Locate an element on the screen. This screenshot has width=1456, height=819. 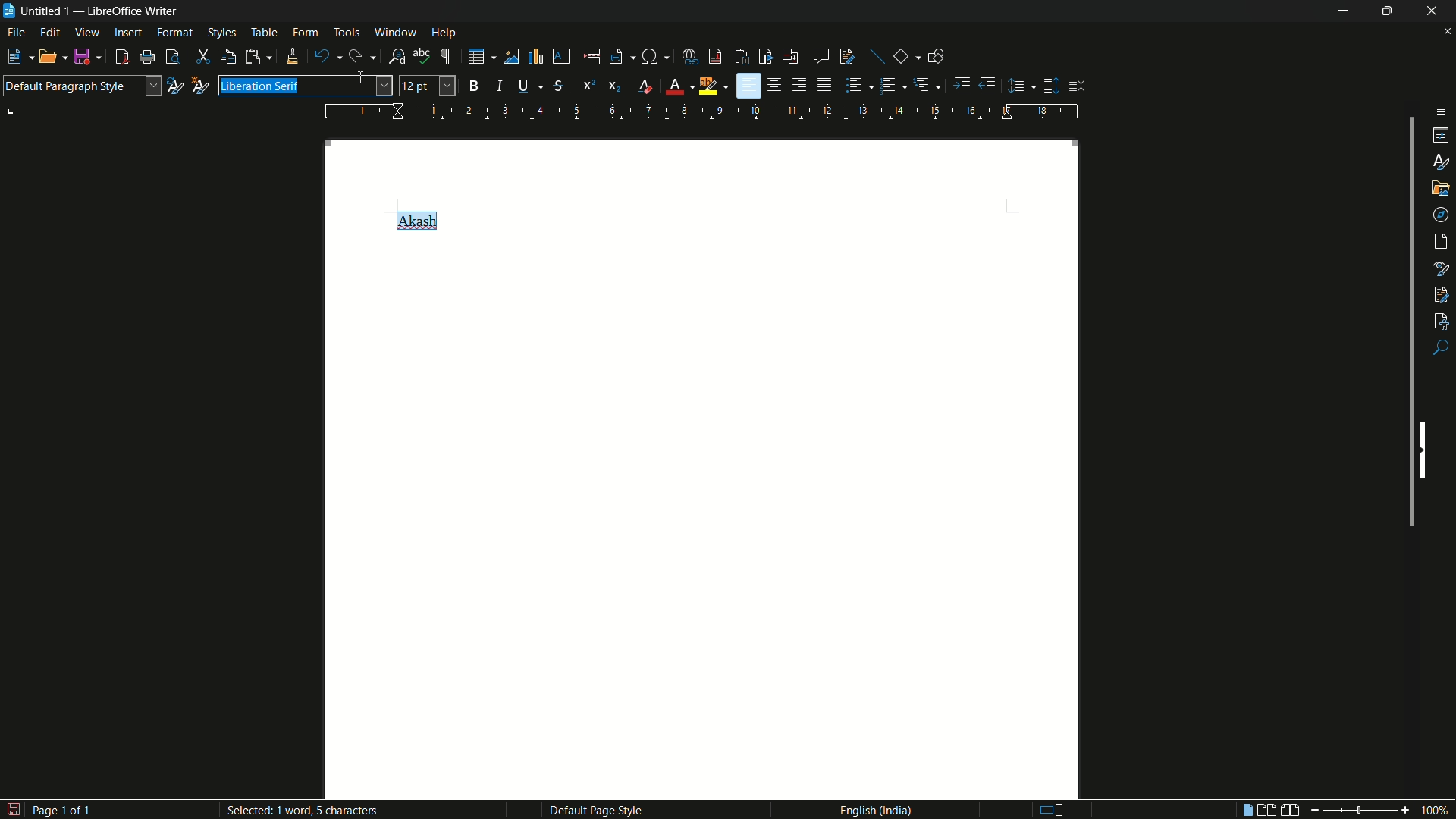
decrease indentation is located at coordinates (988, 85).